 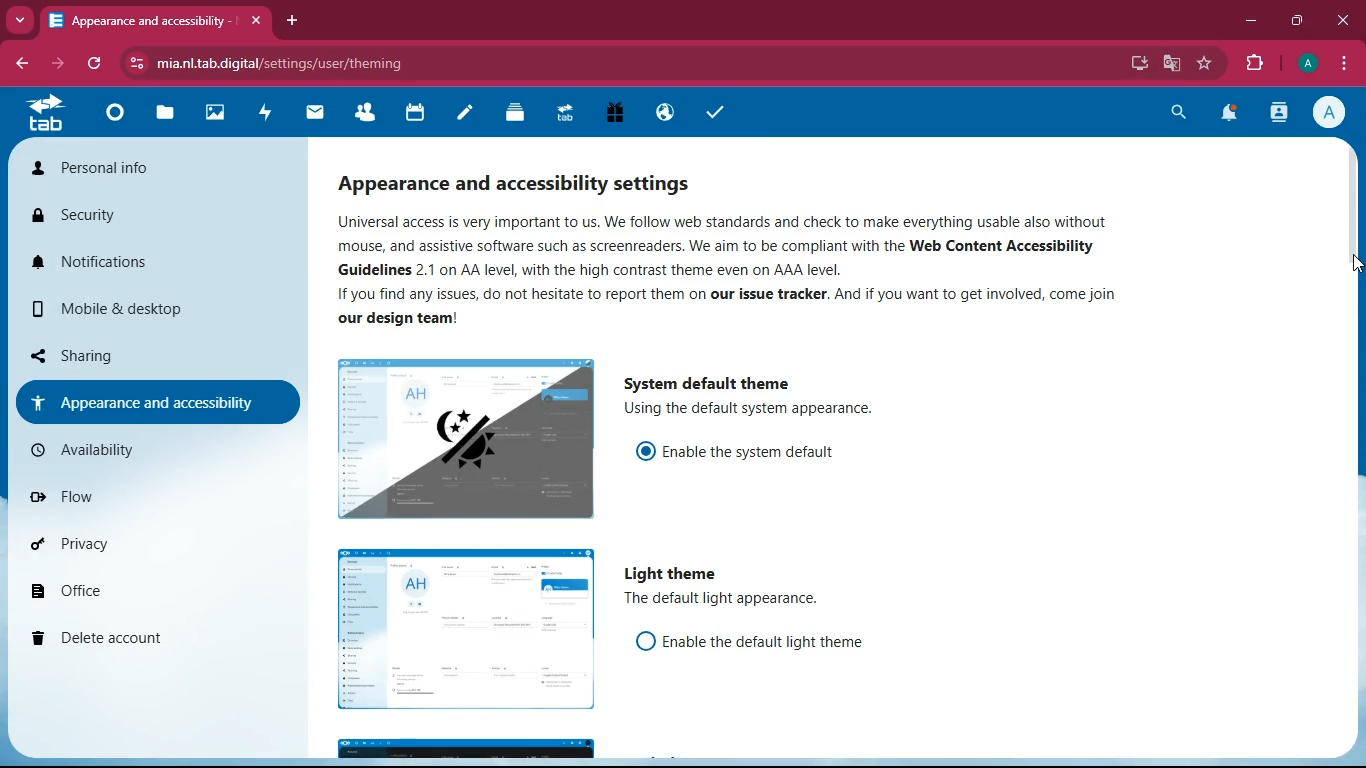 What do you see at coordinates (1344, 21) in the screenshot?
I see `close` at bounding box center [1344, 21].